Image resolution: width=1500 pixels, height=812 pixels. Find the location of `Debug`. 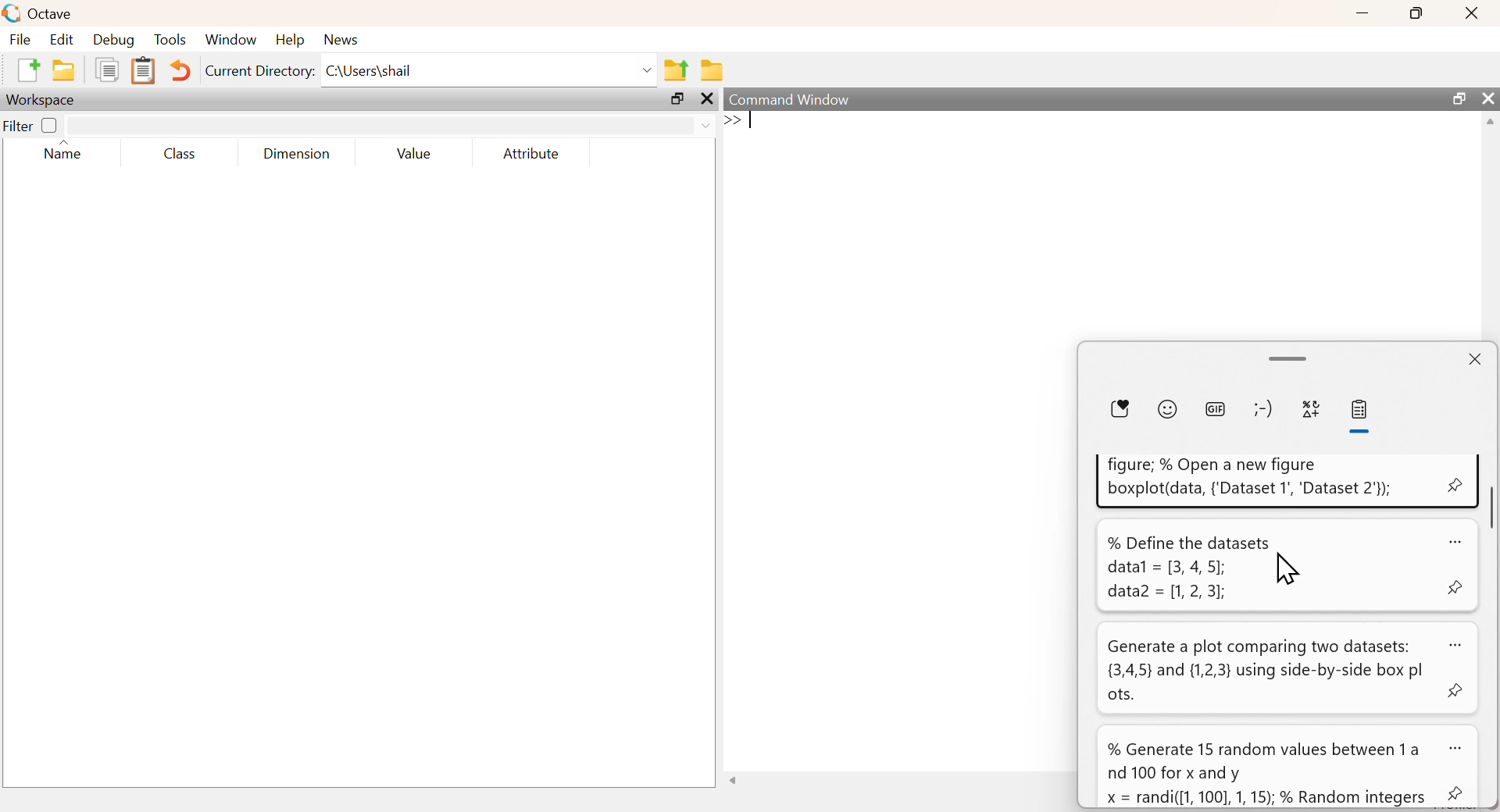

Debug is located at coordinates (114, 40).